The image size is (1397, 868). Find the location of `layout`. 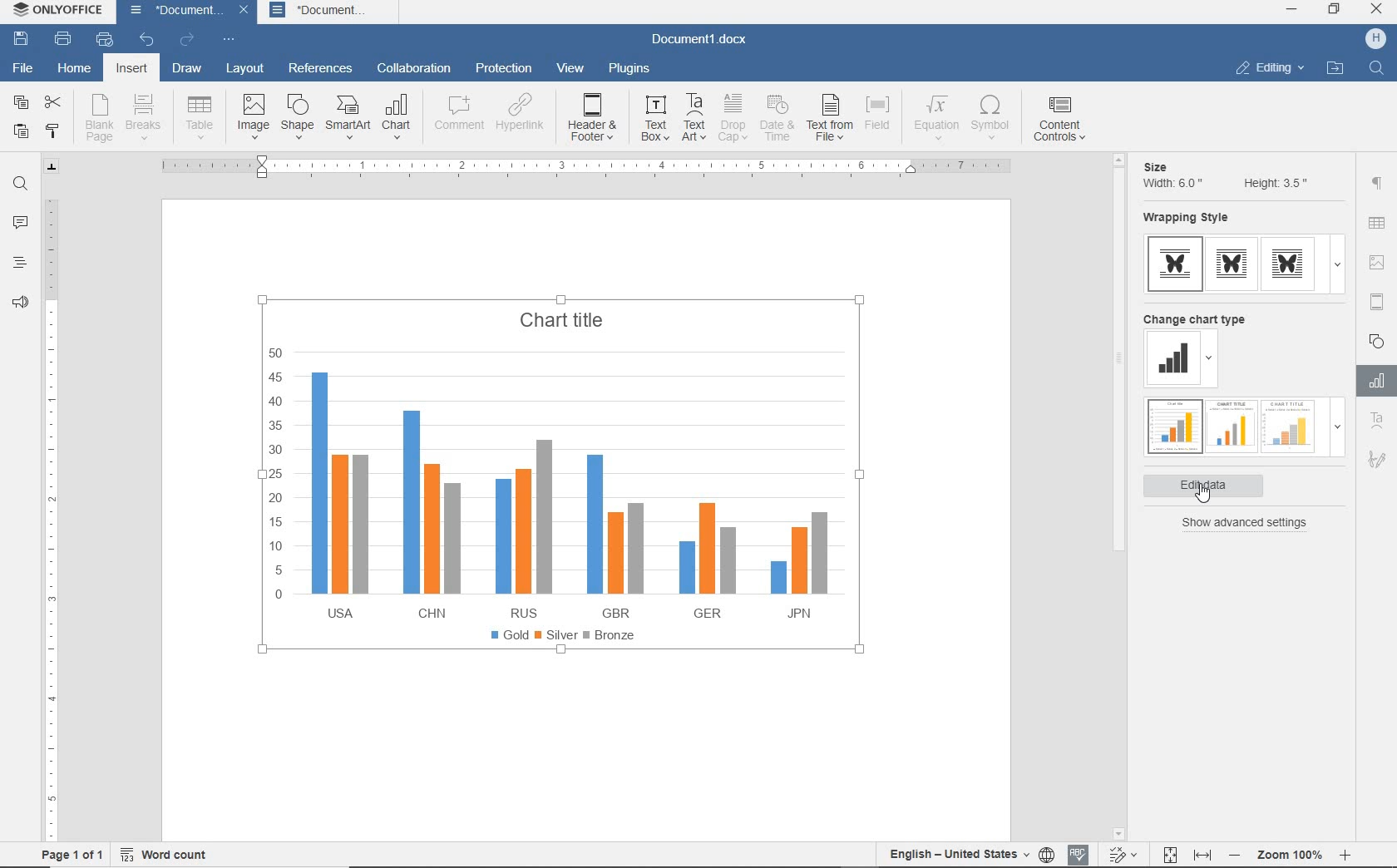

layout is located at coordinates (242, 69).